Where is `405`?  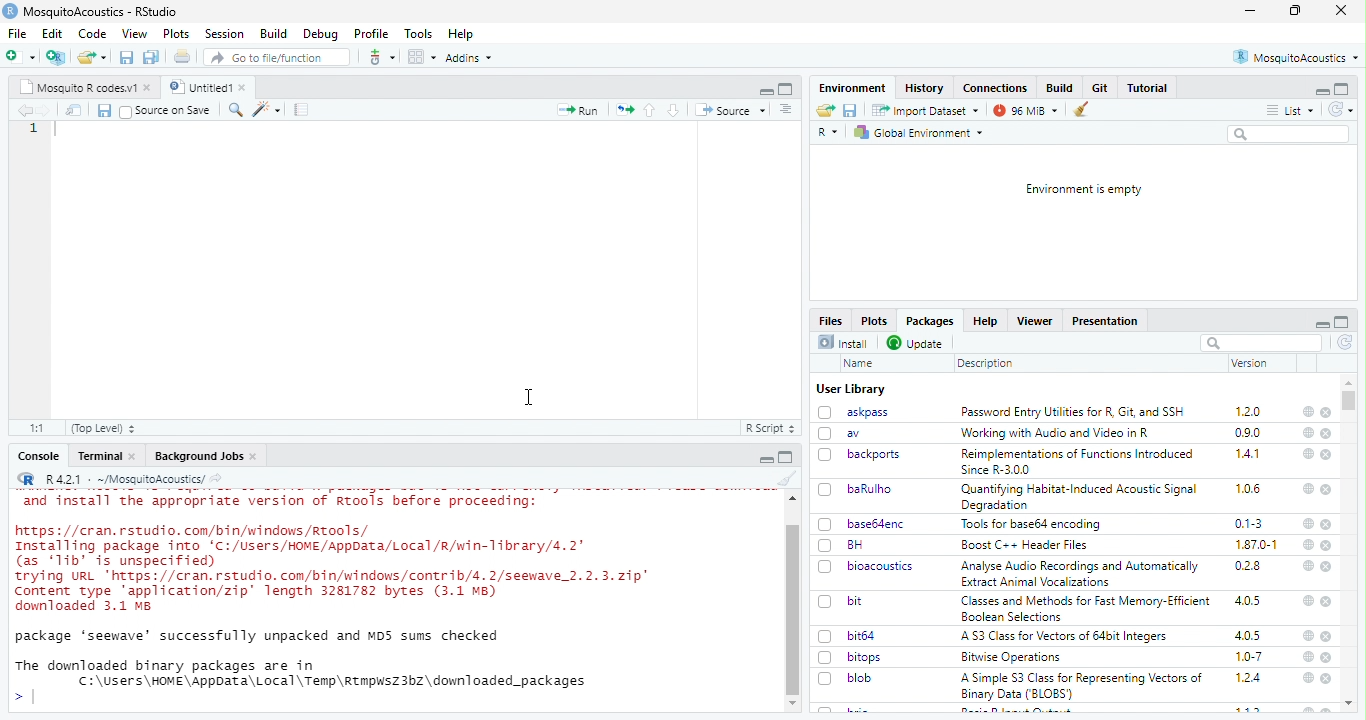
405 is located at coordinates (1249, 636).